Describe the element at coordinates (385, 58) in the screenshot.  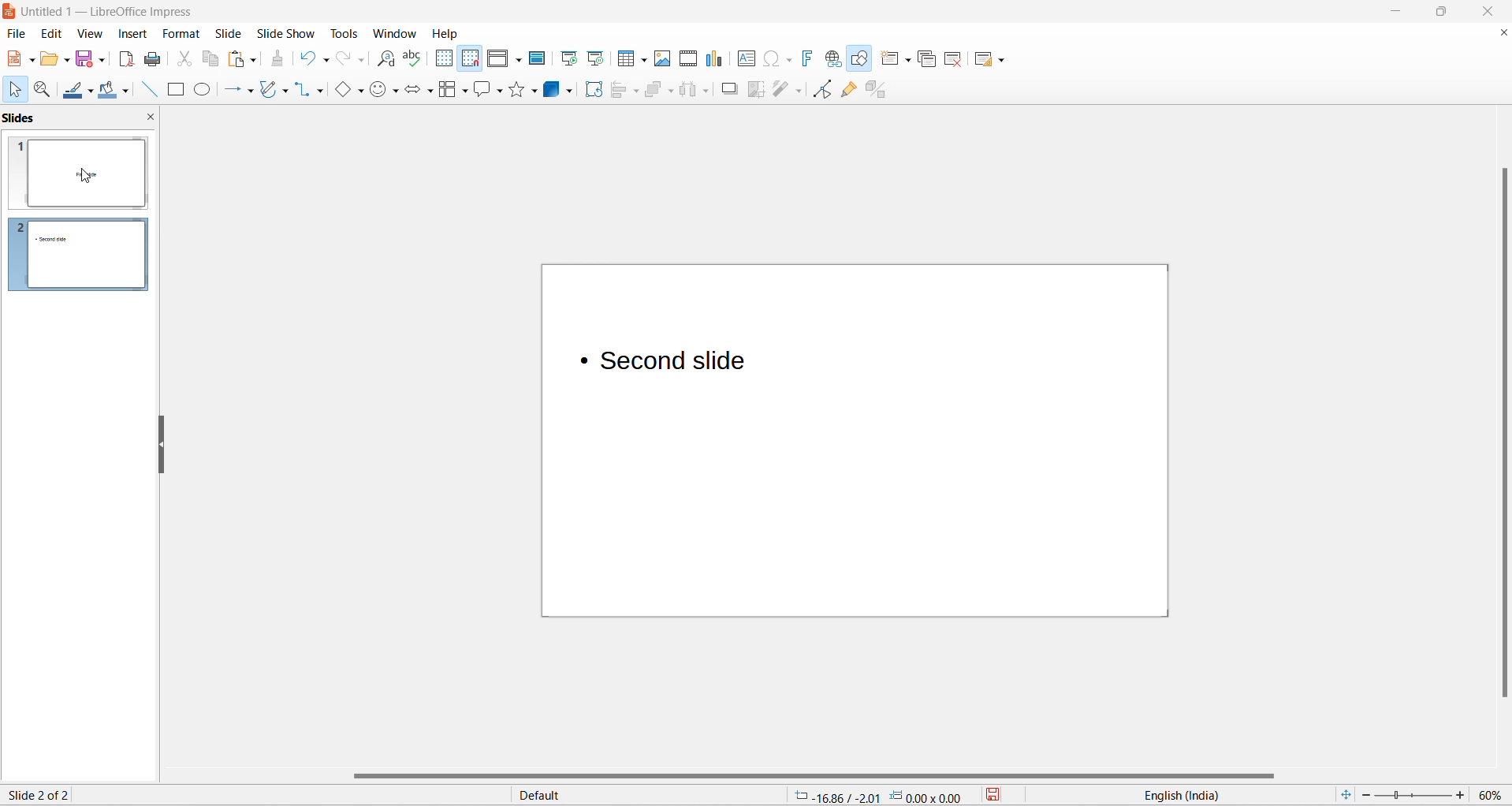
I see `find and replace` at that location.